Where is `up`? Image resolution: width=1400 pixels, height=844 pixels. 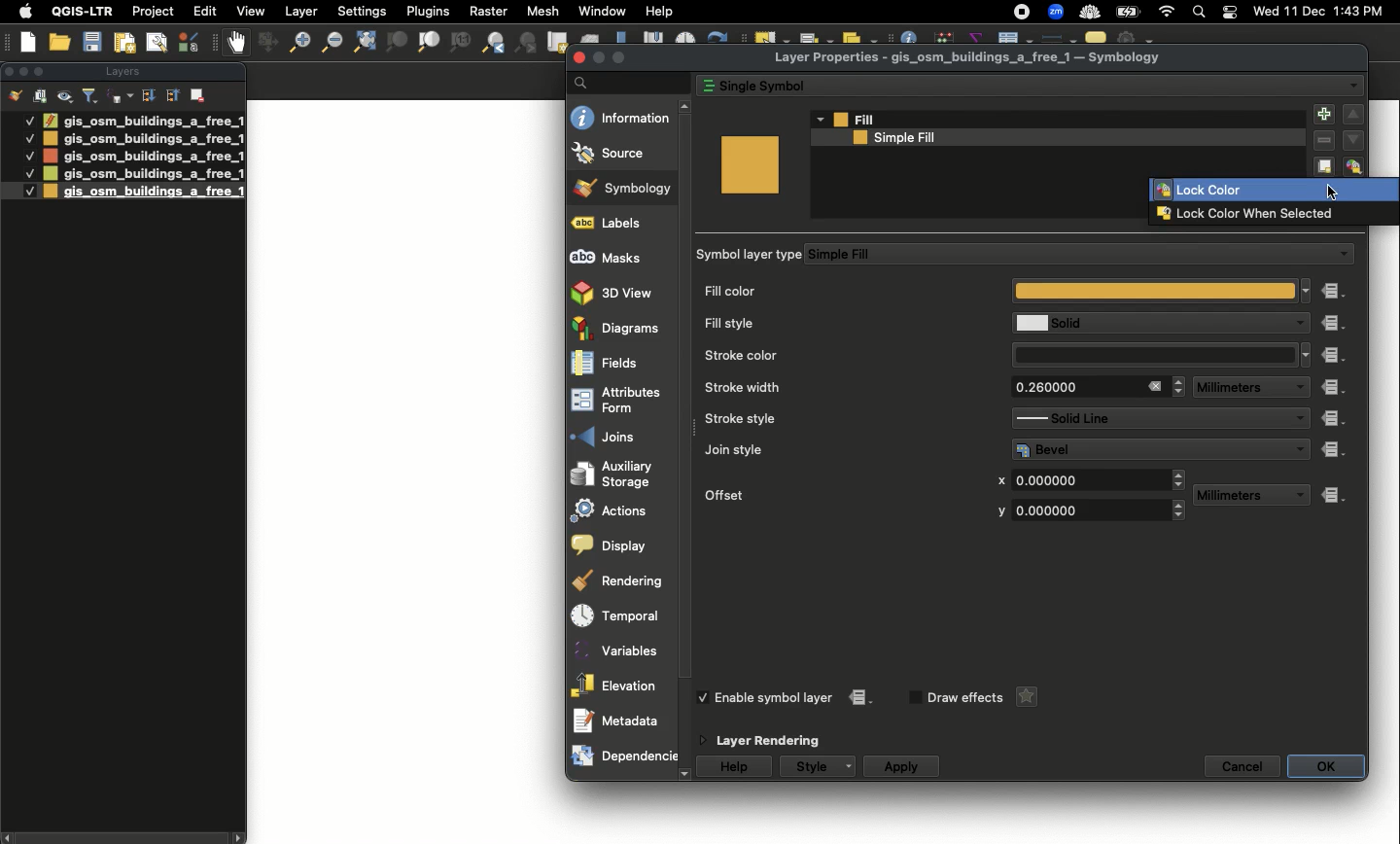
up is located at coordinates (687, 107).